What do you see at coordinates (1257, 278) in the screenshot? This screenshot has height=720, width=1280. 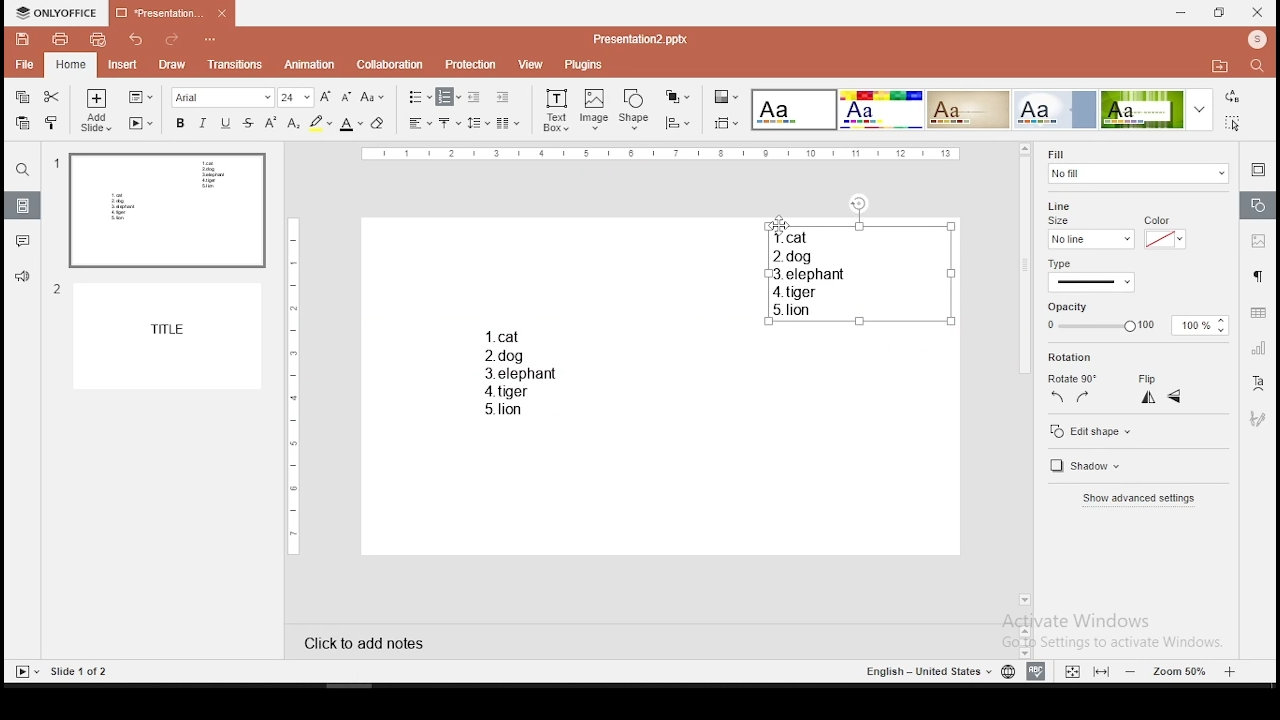 I see `paragraph settings` at bounding box center [1257, 278].